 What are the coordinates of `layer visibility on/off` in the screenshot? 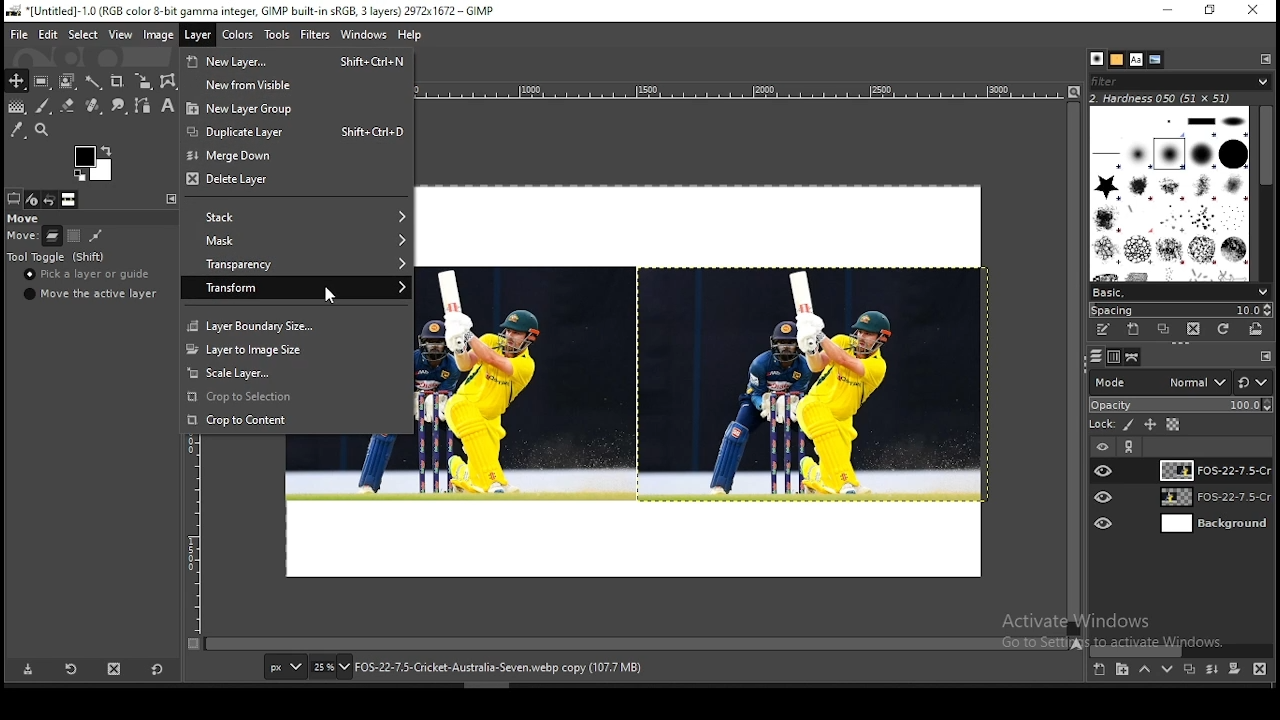 It's located at (1105, 521).